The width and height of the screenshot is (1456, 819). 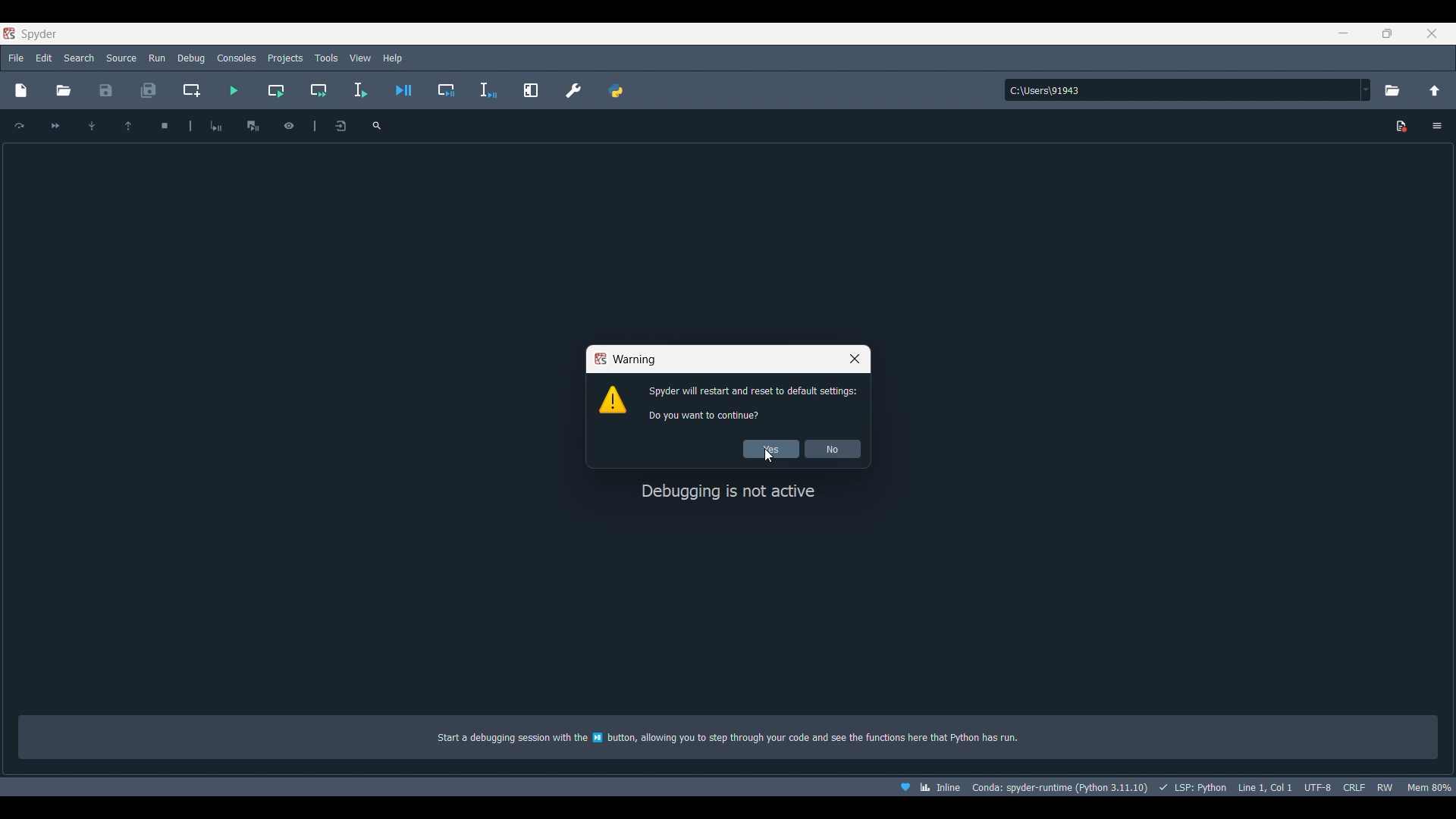 I want to click on Preferences, so click(x=573, y=90).